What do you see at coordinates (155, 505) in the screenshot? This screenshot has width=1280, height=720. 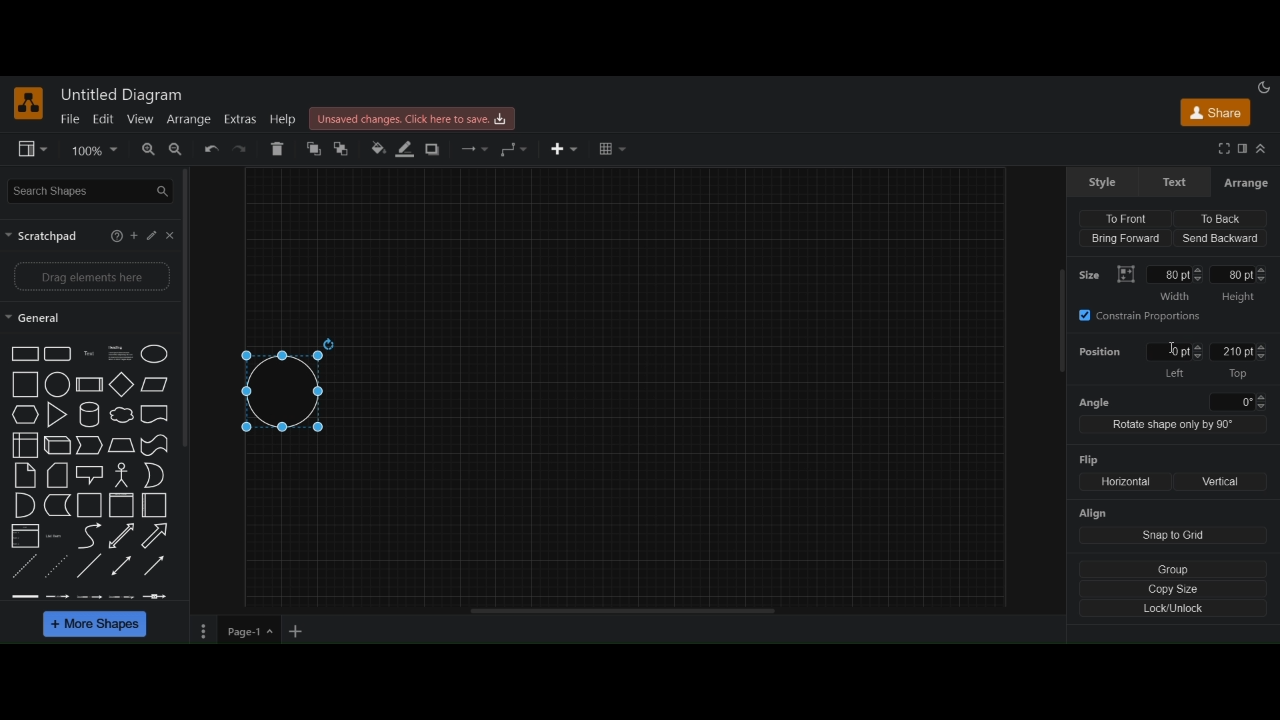 I see `Quater Square` at bounding box center [155, 505].